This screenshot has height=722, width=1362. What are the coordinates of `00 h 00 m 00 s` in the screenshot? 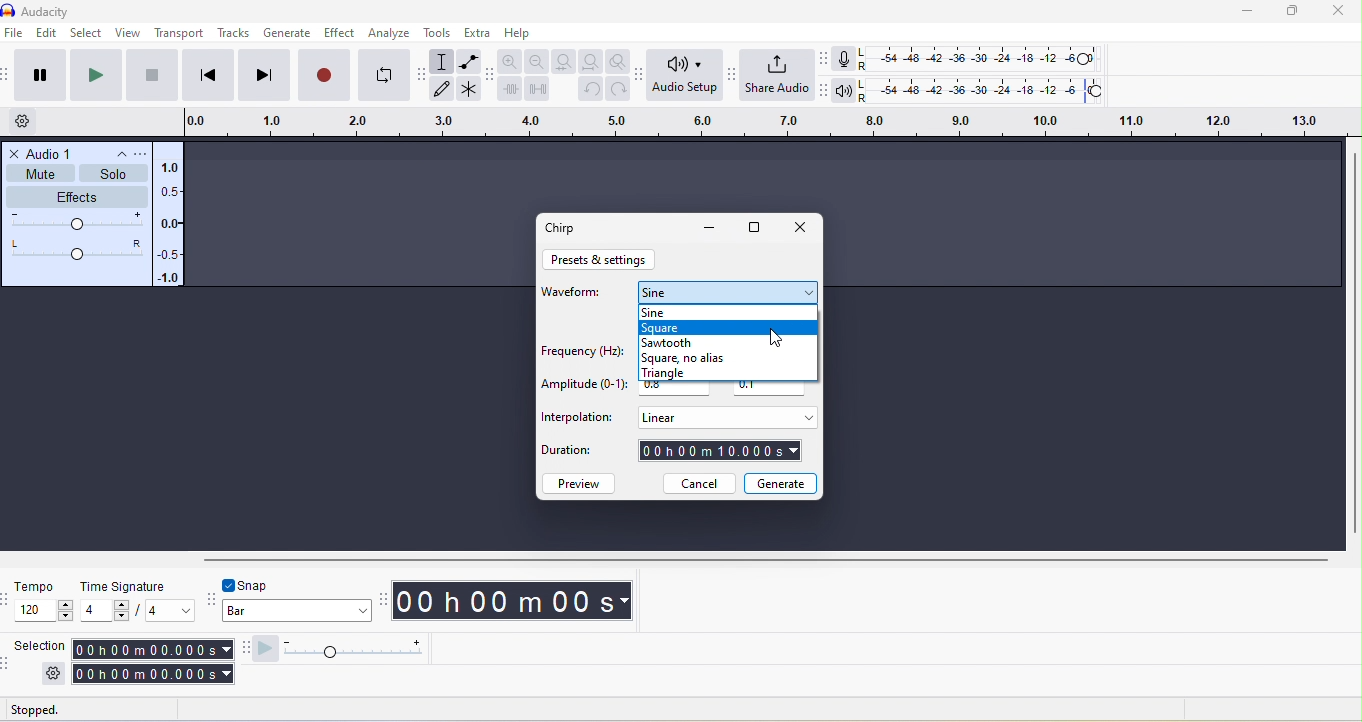 It's located at (517, 602).